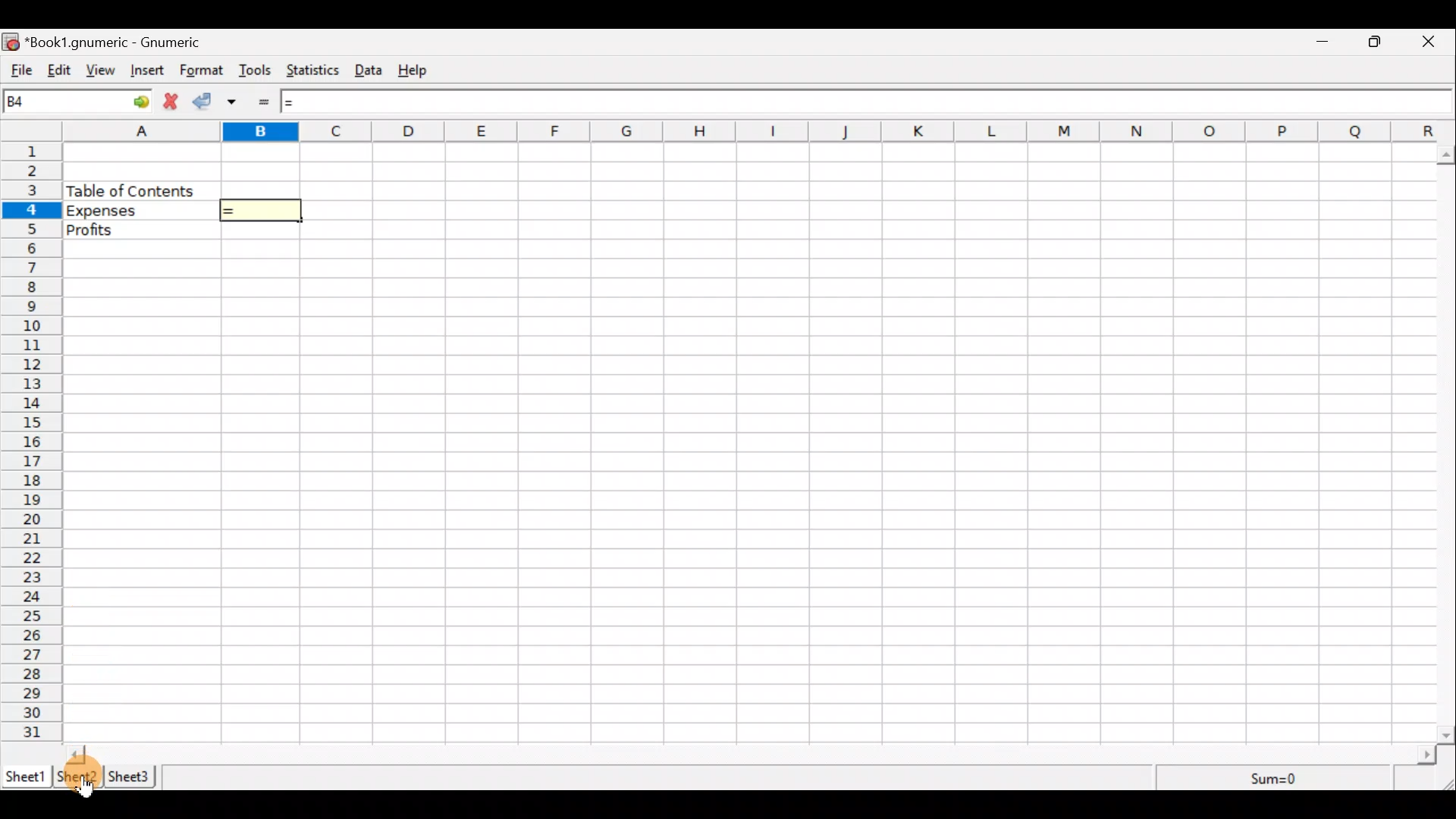 This screenshot has height=819, width=1456. I want to click on Sum=0, so click(1276, 780).